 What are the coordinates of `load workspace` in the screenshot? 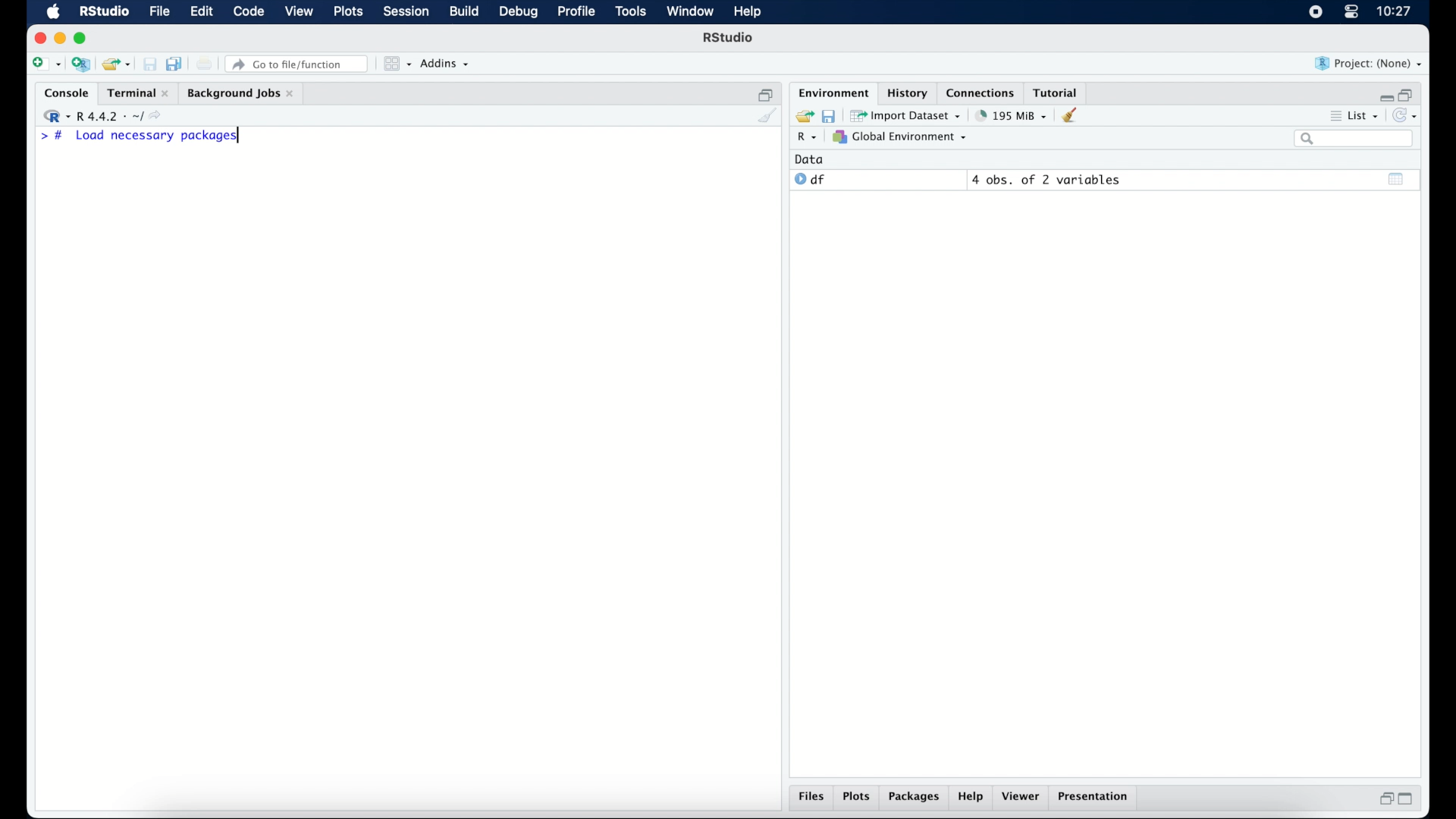 It's located at (802, 115).